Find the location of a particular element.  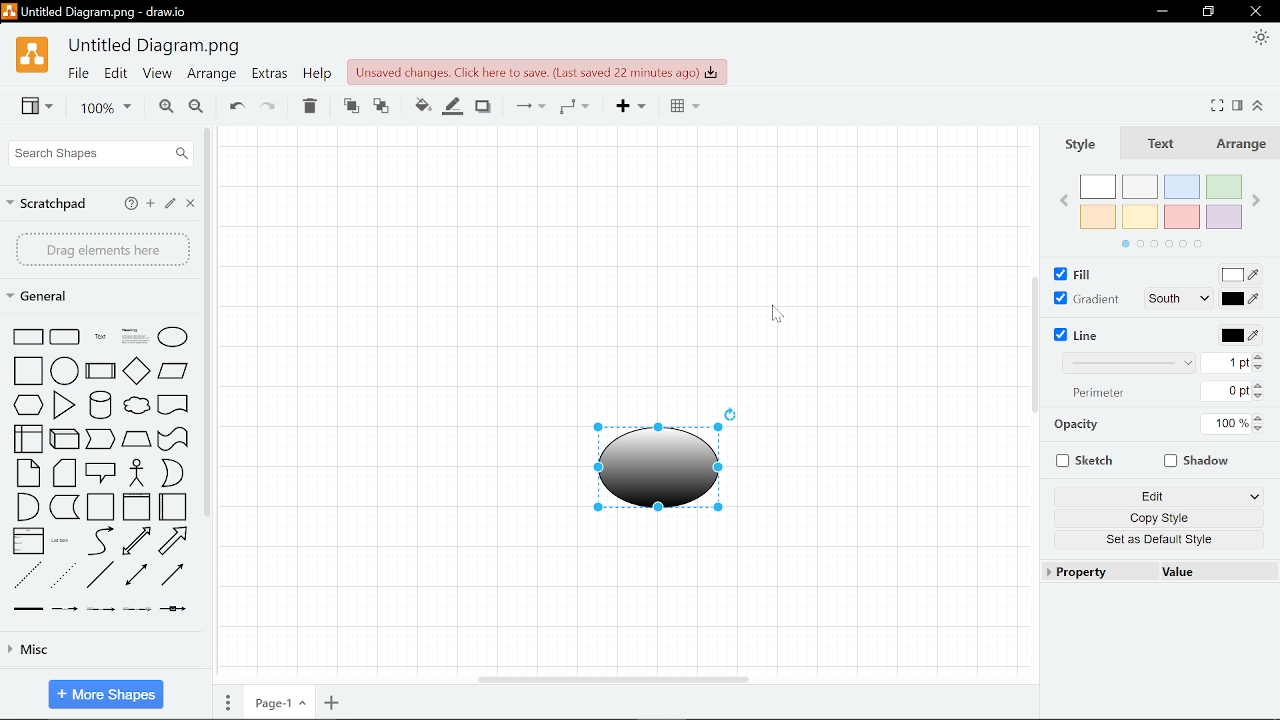

File name is located at coordinates (154, 47).